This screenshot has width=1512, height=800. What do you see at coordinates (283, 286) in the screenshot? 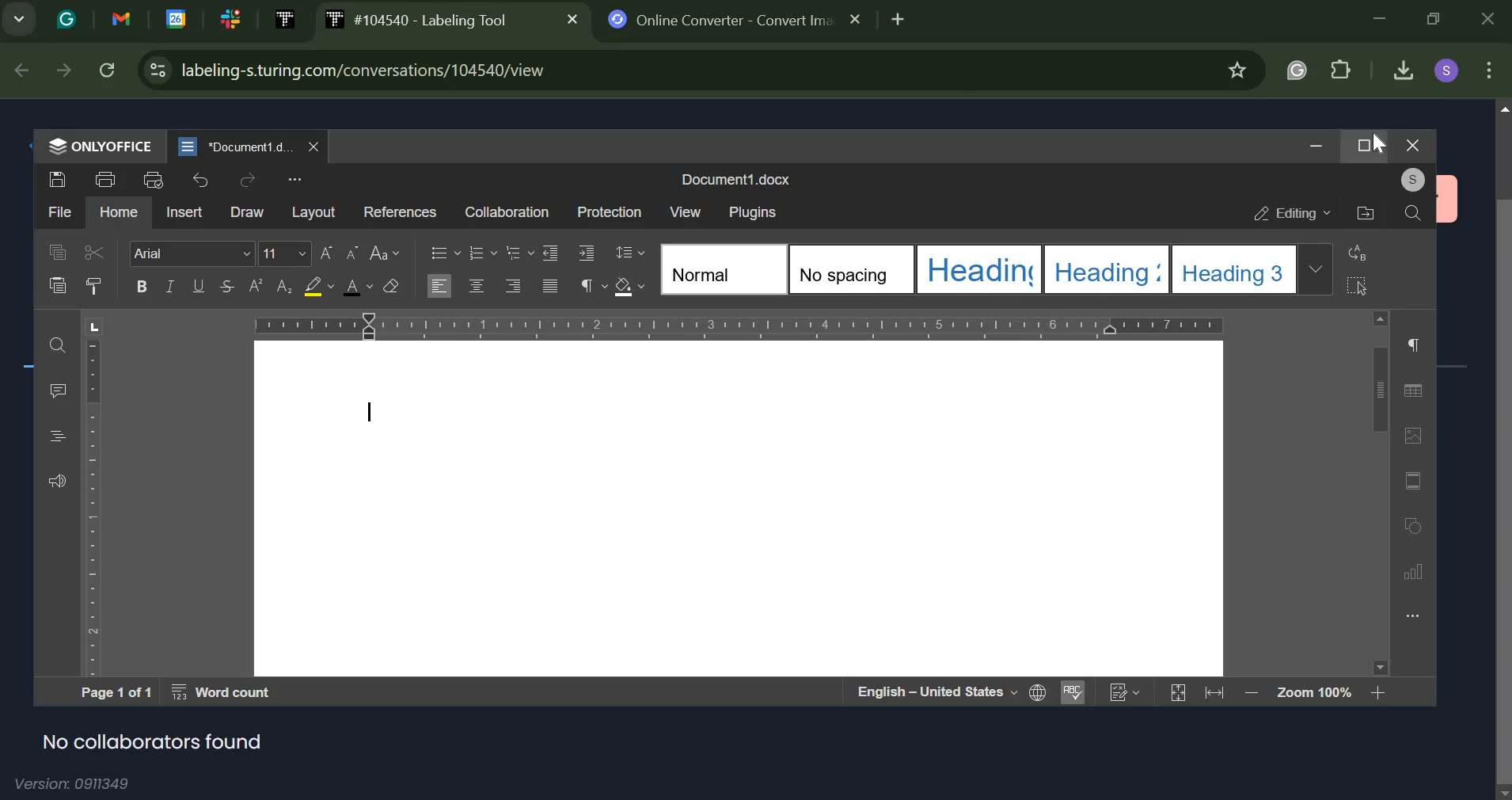
I see `superscript` at bounding box center [283, 286].